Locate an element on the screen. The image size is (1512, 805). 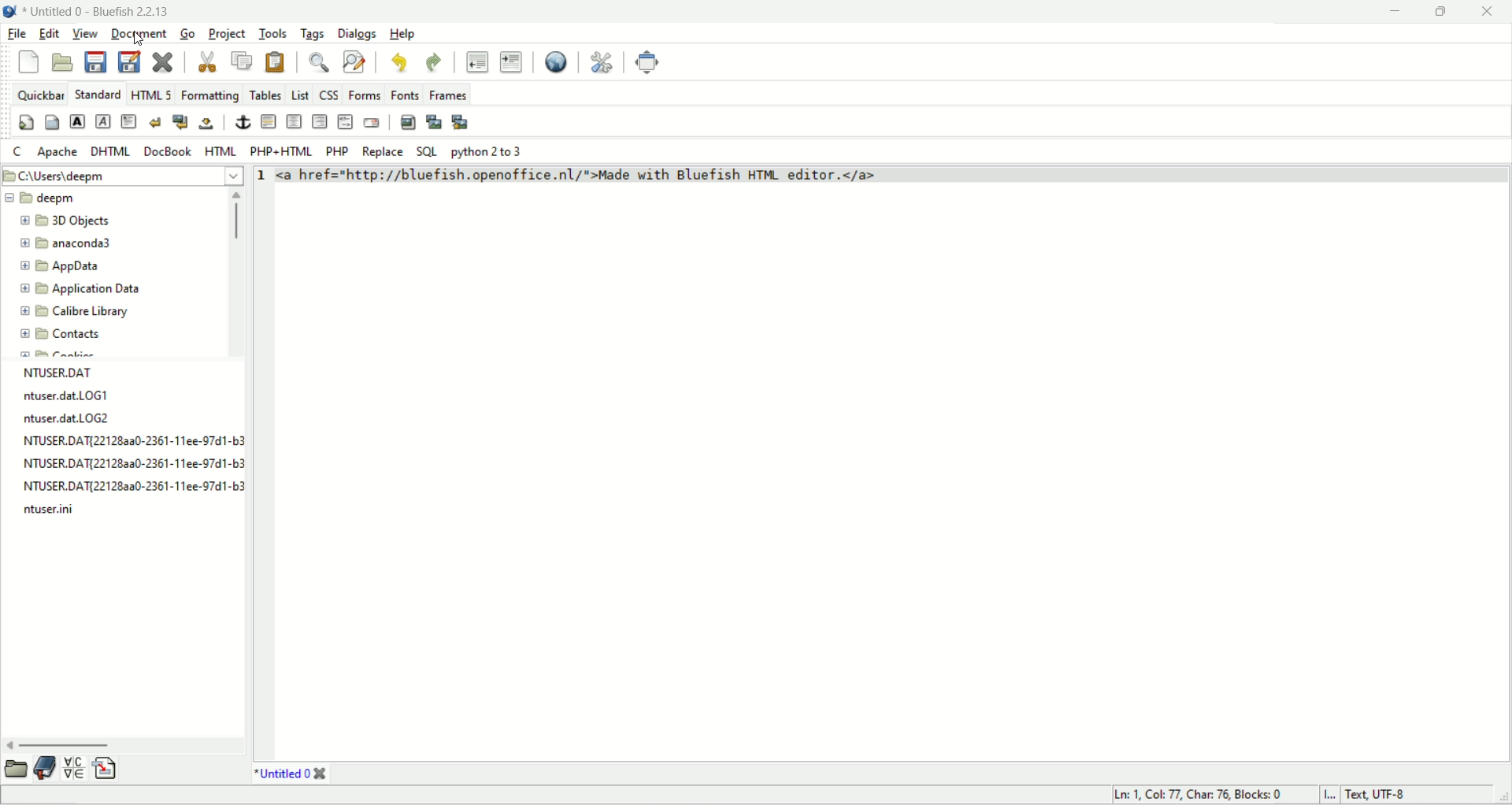
insert thumbnail is located at coordinates (433, 124).